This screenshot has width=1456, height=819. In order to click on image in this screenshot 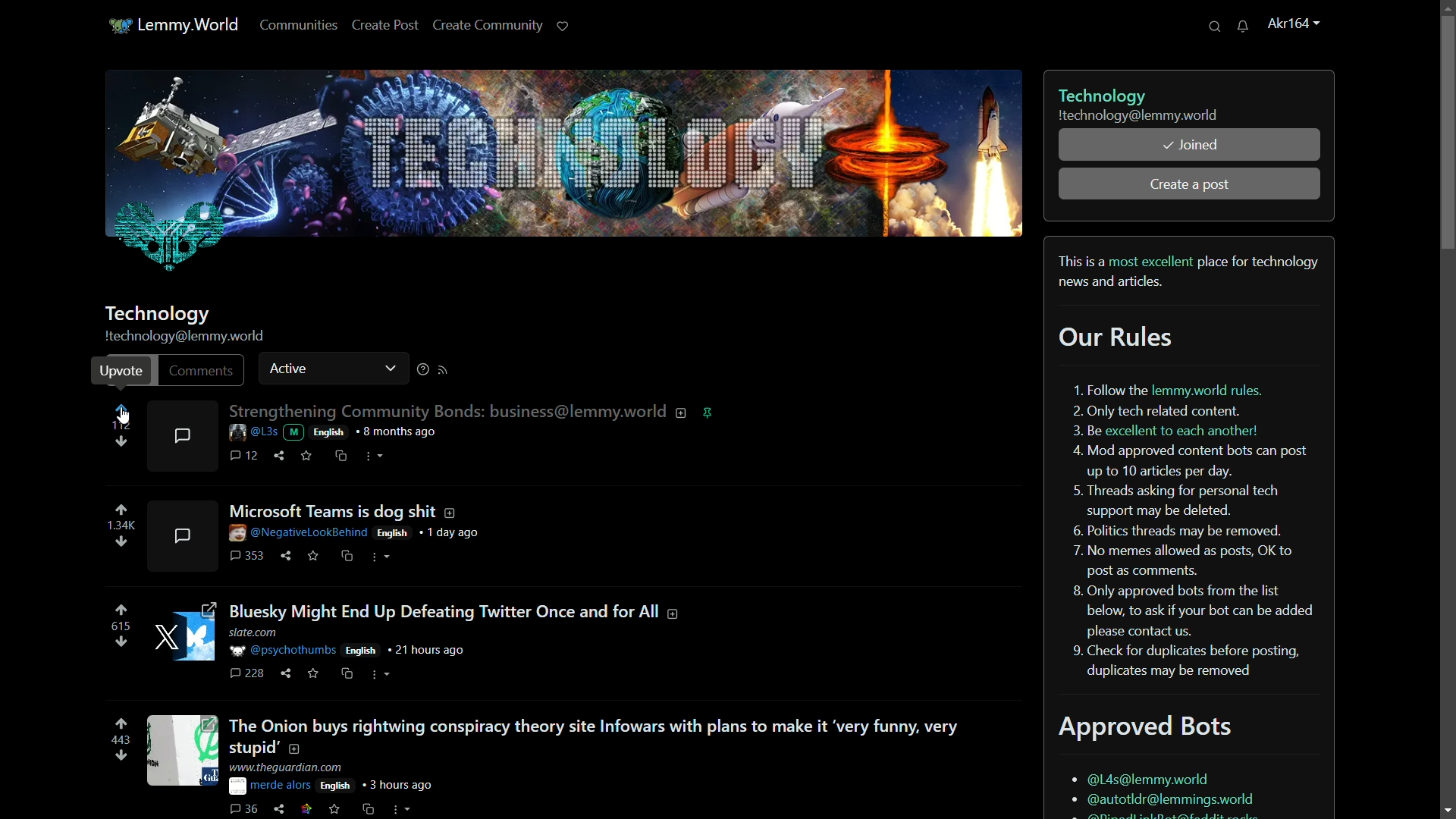, I will do `click(181, 752)`.